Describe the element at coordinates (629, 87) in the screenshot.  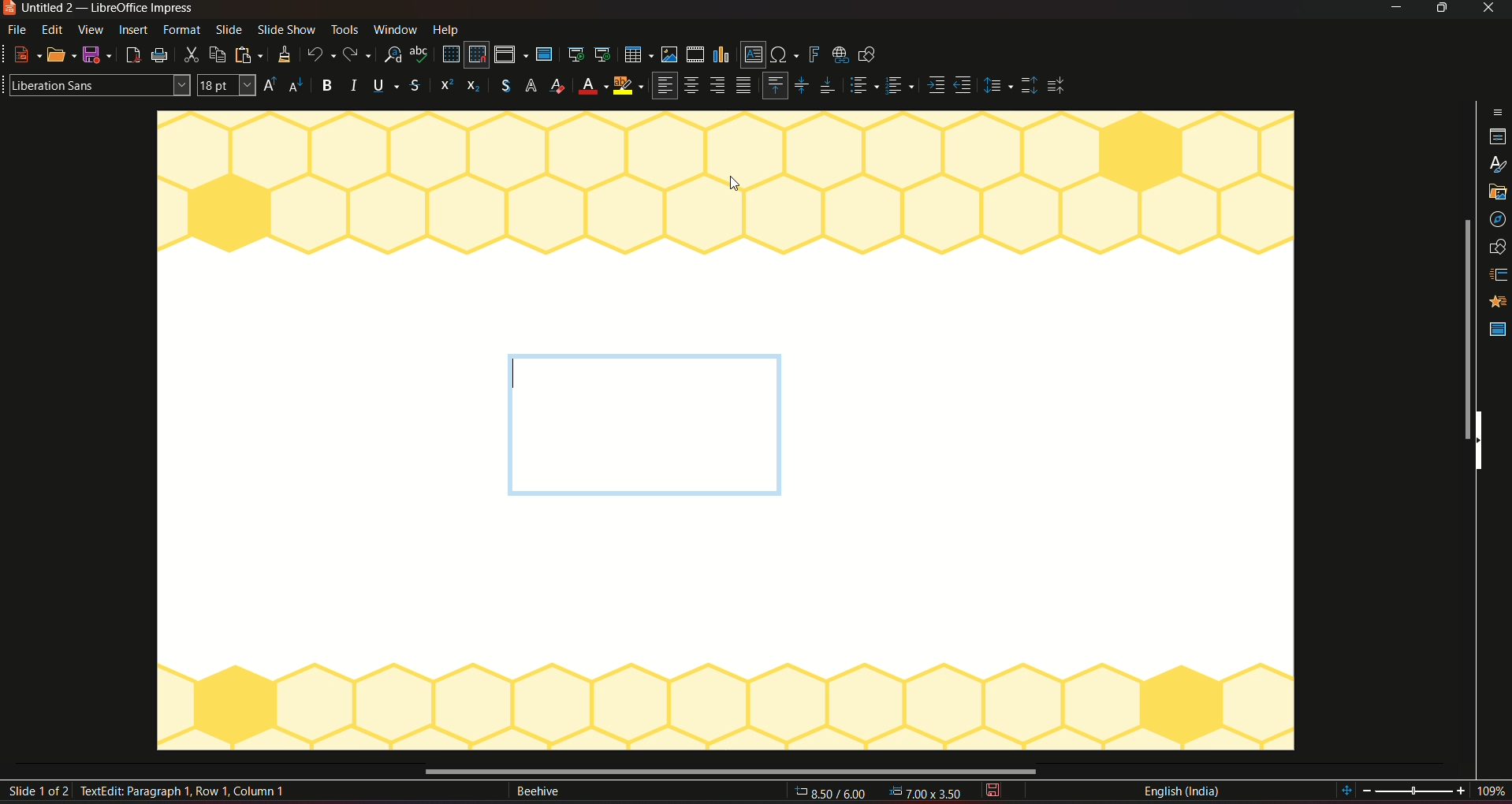
I see `highlighter` at that location.